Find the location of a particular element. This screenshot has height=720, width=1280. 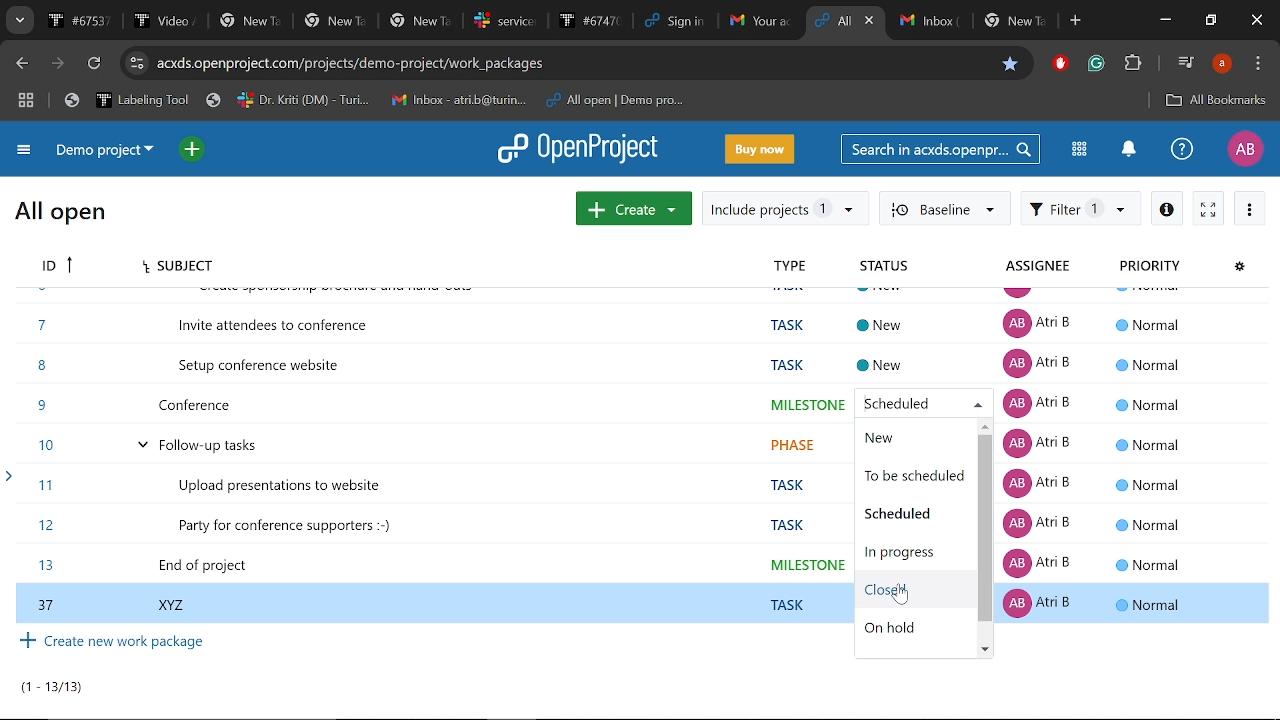

Current project is located at coordinates (103, 152).